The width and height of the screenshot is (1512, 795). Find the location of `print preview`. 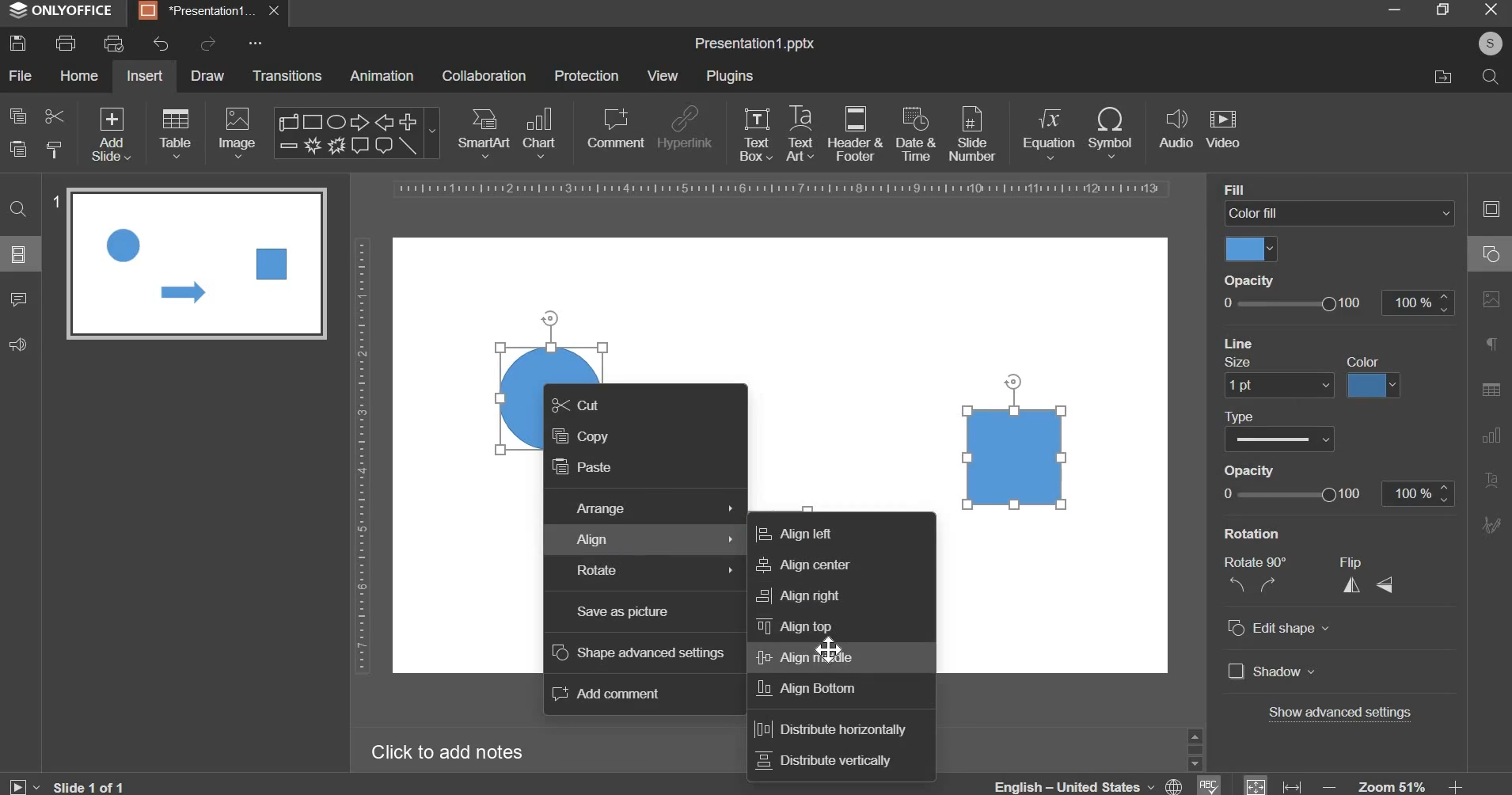

print preview is located at coordinates (113, 44).